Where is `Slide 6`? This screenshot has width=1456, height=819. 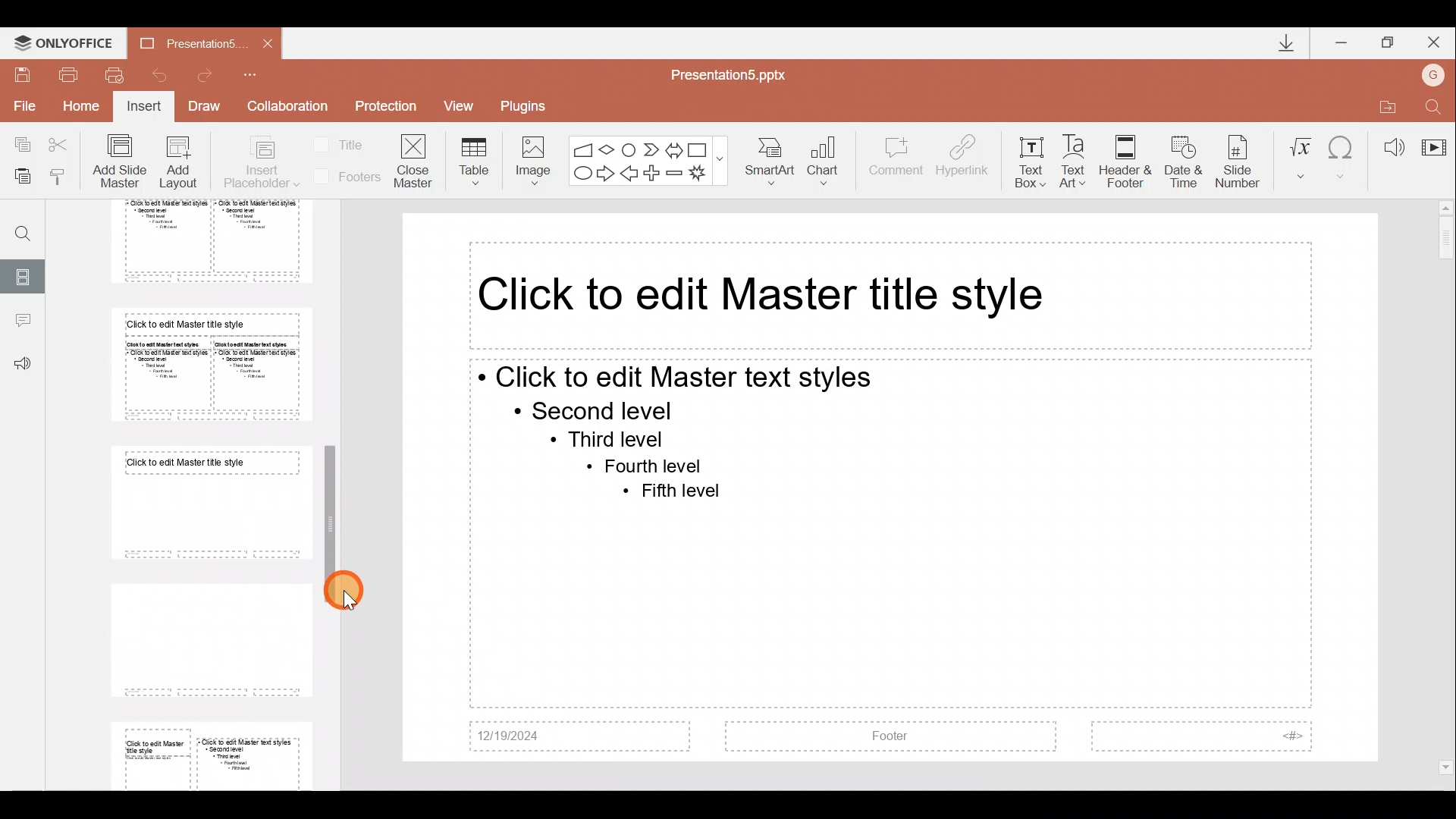 Slide 6 is located at coordinates (206, 365).